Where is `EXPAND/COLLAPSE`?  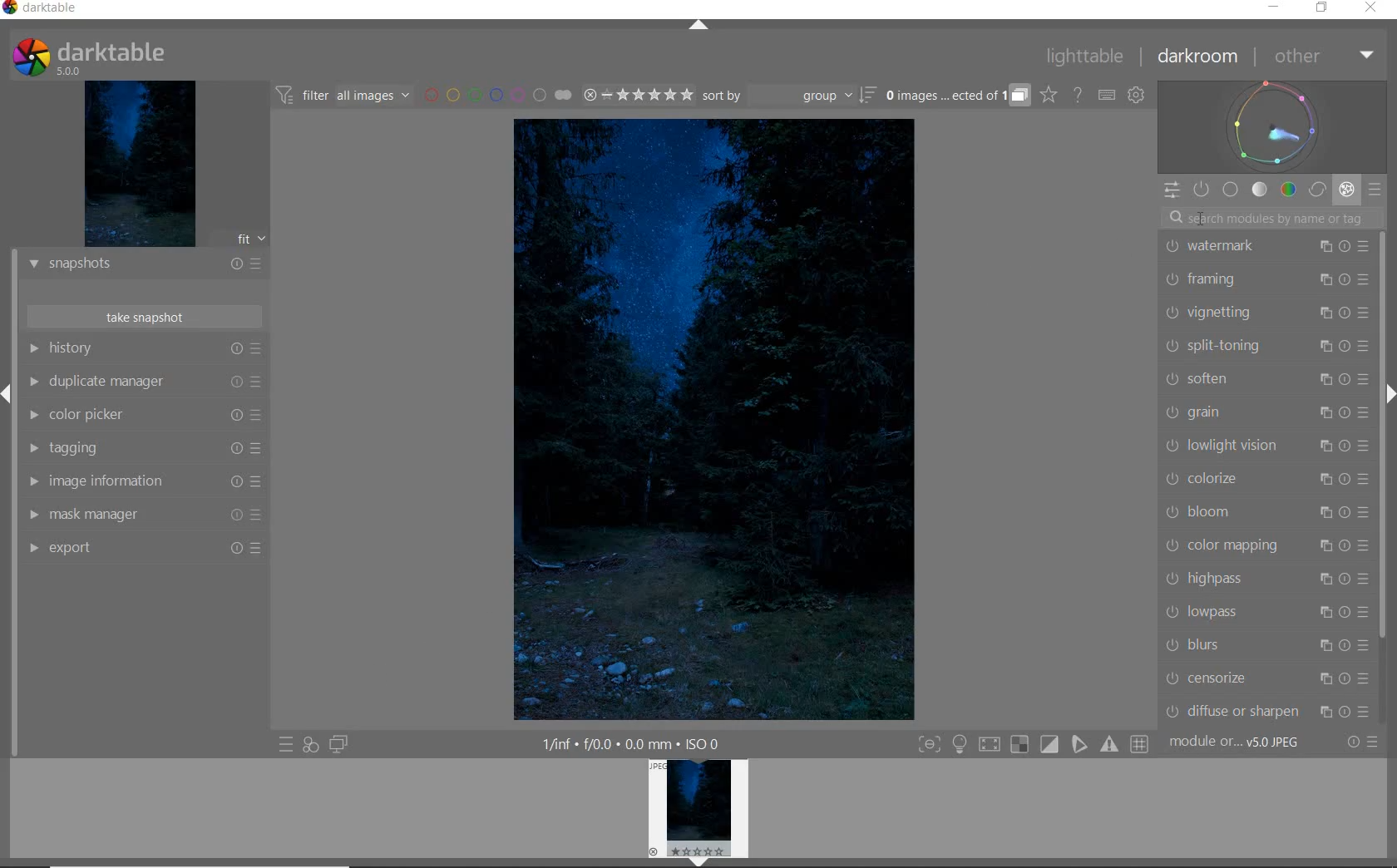 EXPAND/COLLAPSE is located at coordinates (699, 26).